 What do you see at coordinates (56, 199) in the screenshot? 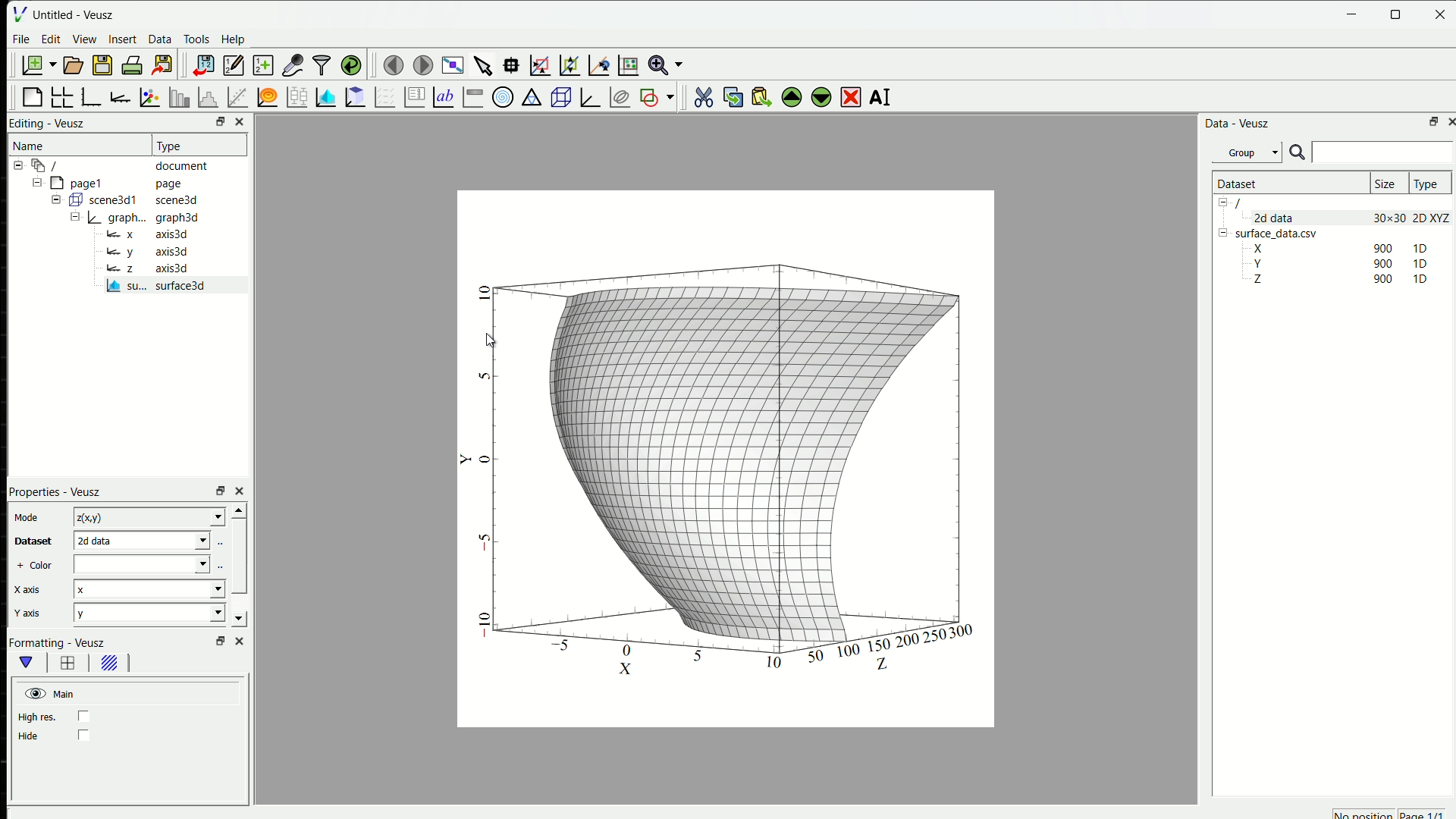
I see `Collapse /expand` at bounding box center [56, 199].